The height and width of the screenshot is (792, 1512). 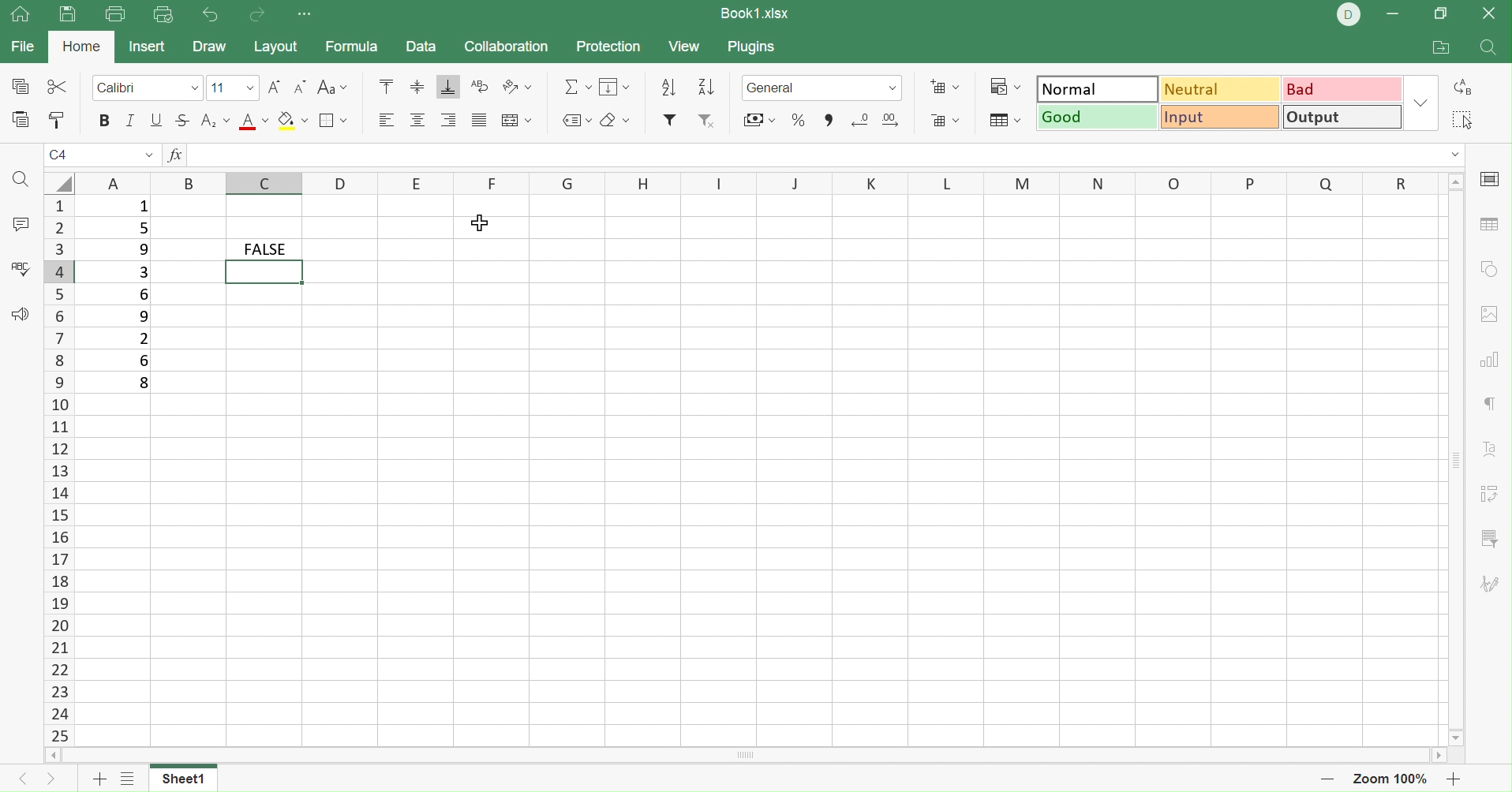 I want to click on Scroll right, so click(x=1440, y=754).